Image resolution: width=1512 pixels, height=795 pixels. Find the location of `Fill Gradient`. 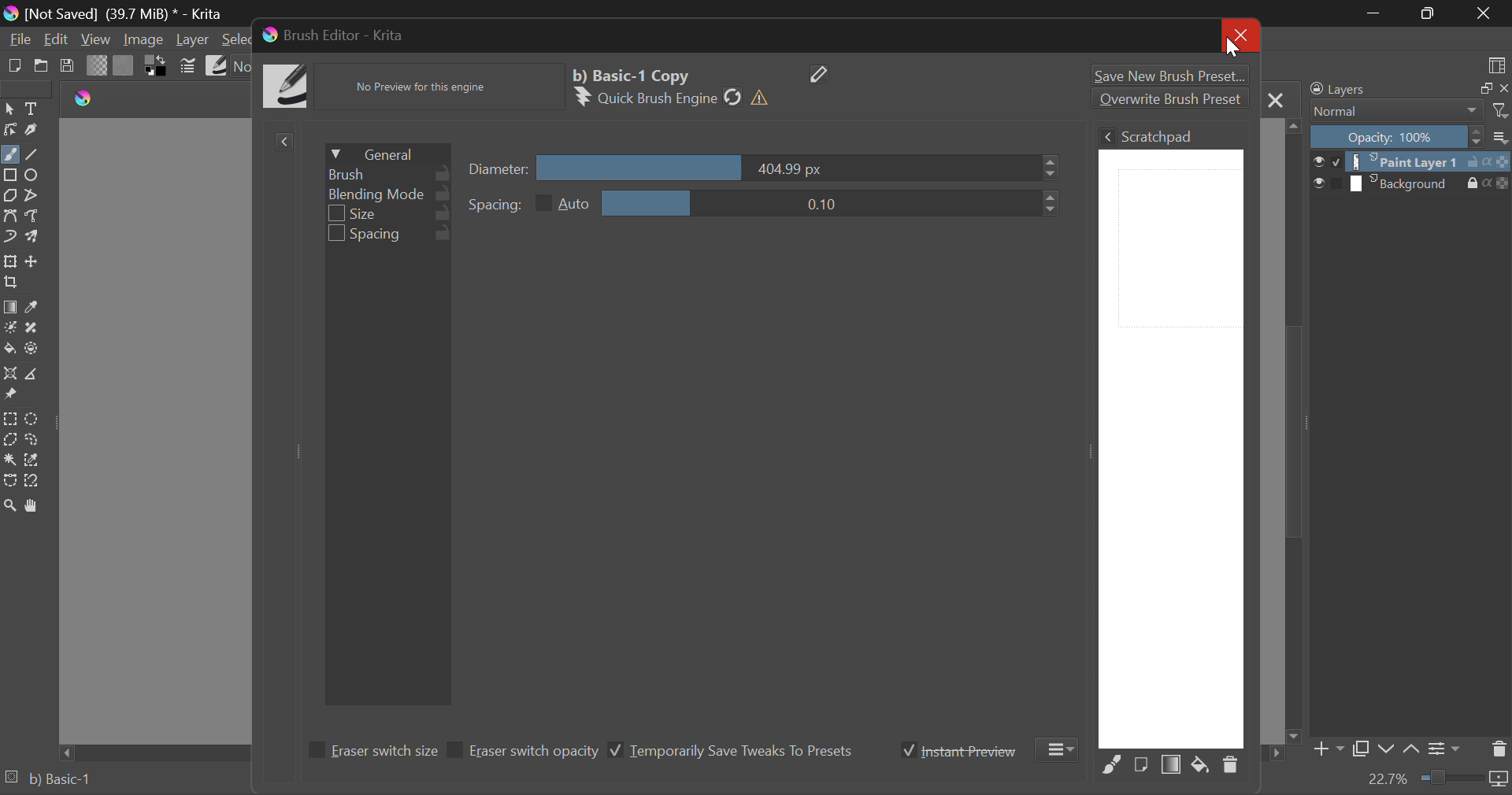

Fill Gradient is located at coordinates (11, 307).